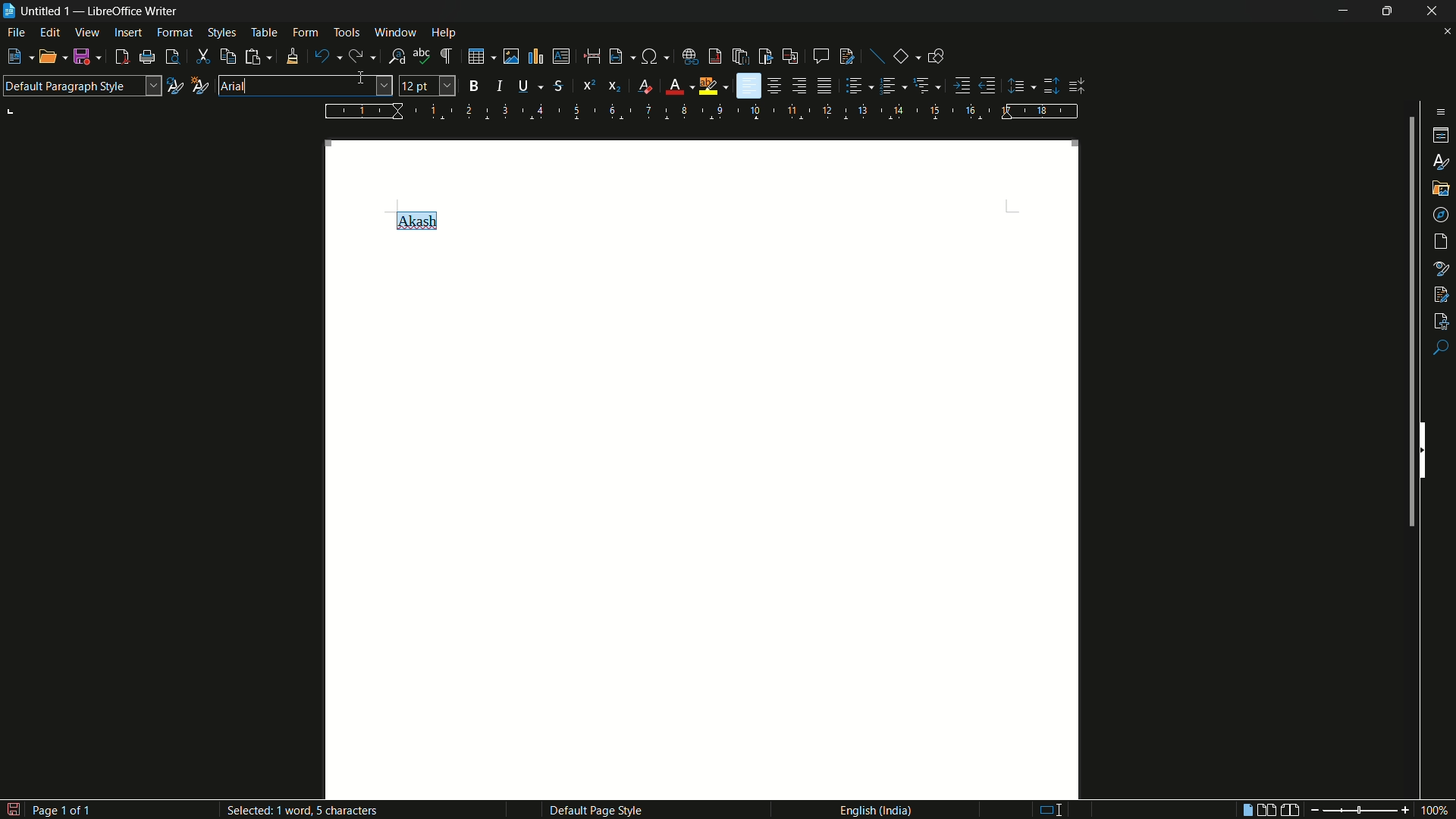 Image resolution: width=1456 pixels, height=819 pixels. I want to click on book view, so click(1291, 811).